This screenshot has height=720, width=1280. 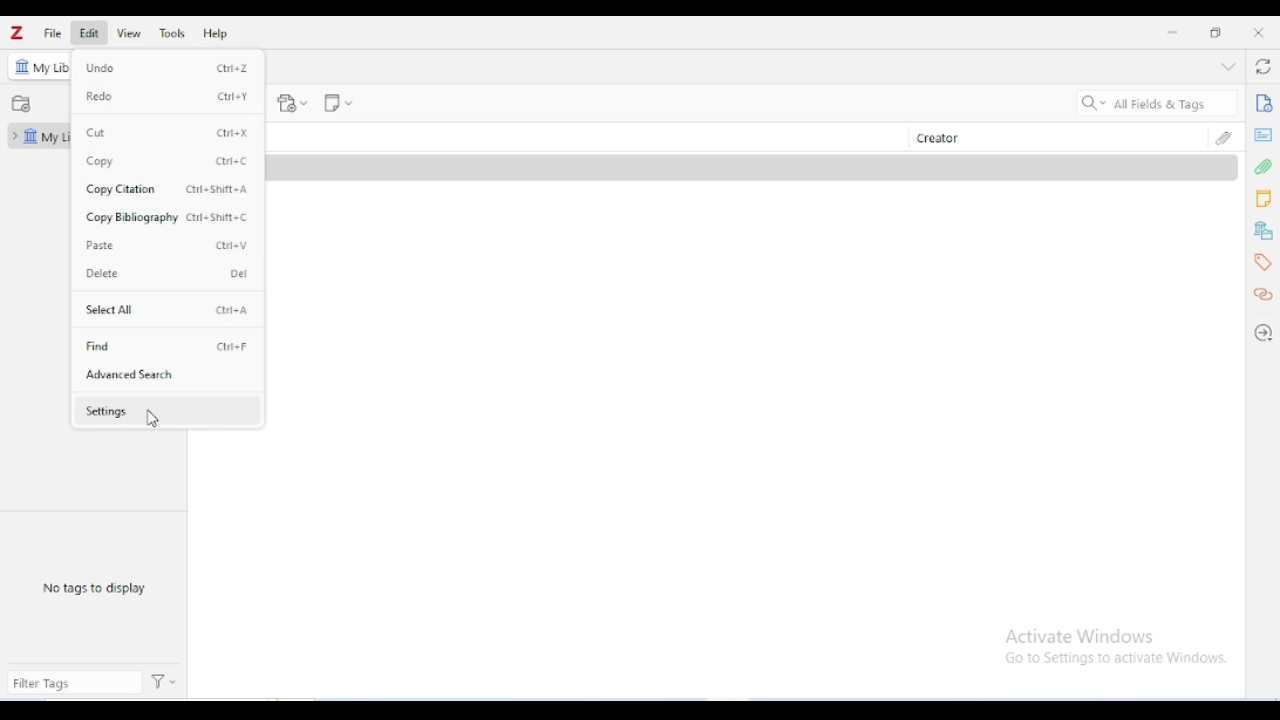 What do you see at coordinates (1259, 32) in the screenshot?
I see `close` at bounding box center [1259, 32].